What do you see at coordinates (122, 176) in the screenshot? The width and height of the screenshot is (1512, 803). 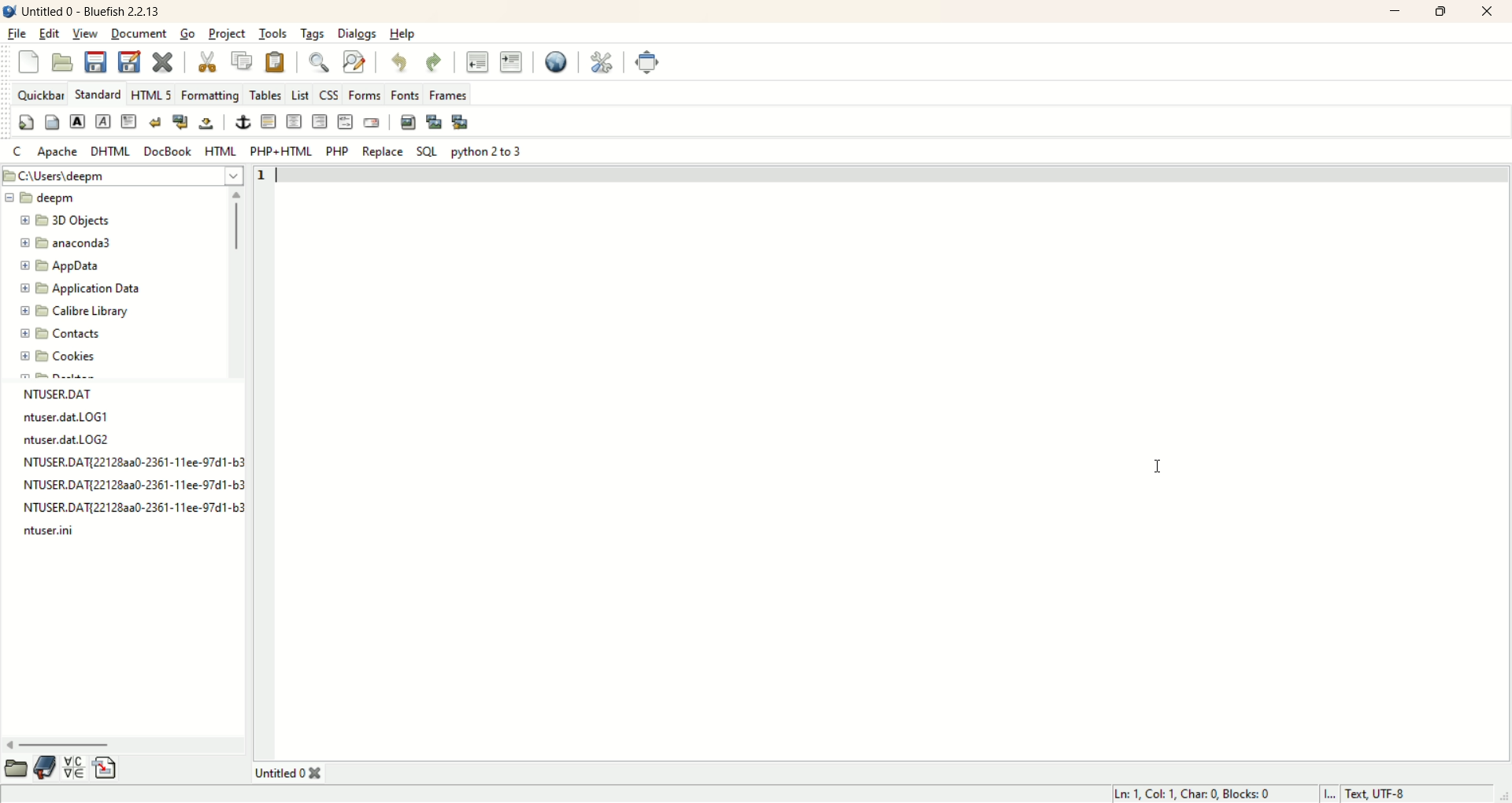 I see `location` at bounding box center [122, 176].